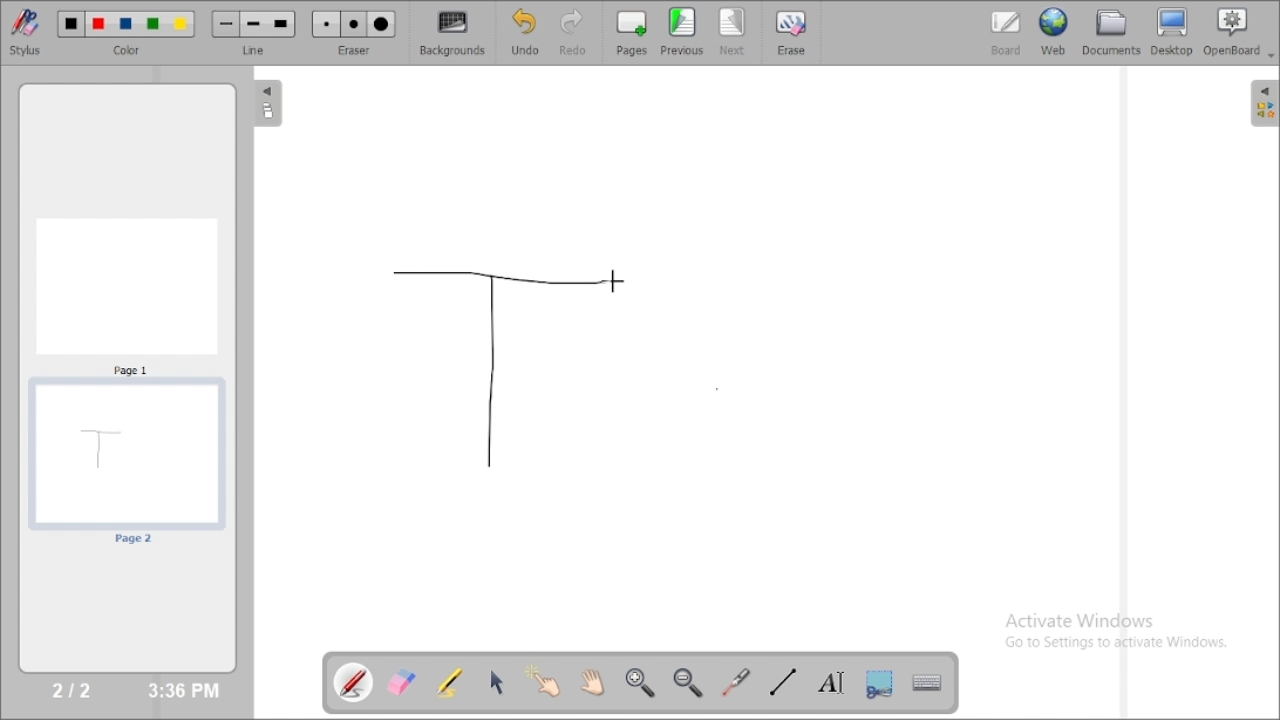 Image resolution: width=1280 pixels, height=720 pixels. What do you see at coordinates (181, 24) in the screenshot?
I see `Color 5` at bounding box center [181, 24].